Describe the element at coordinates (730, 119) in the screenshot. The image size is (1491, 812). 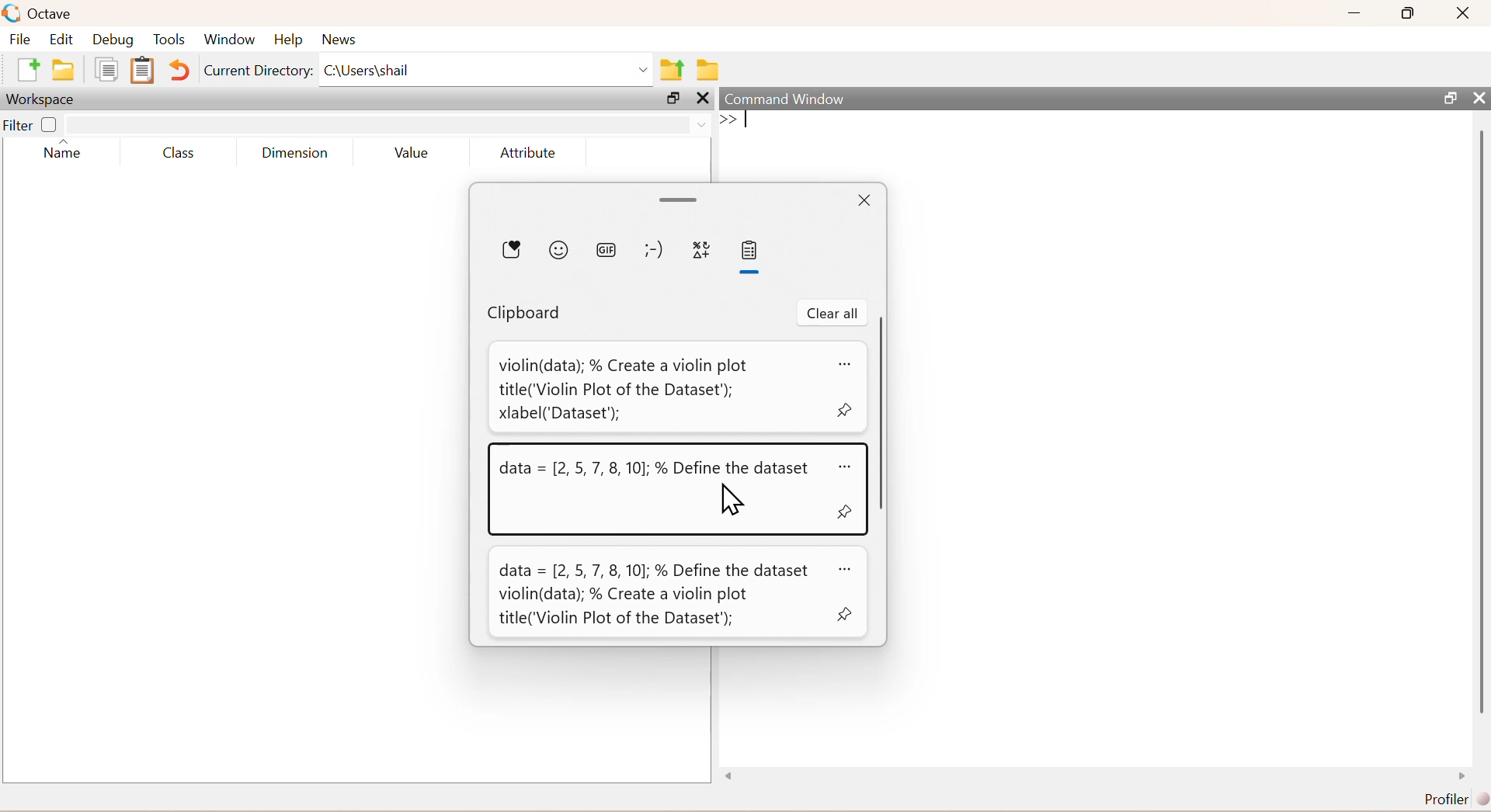
I see `>>` at that location.